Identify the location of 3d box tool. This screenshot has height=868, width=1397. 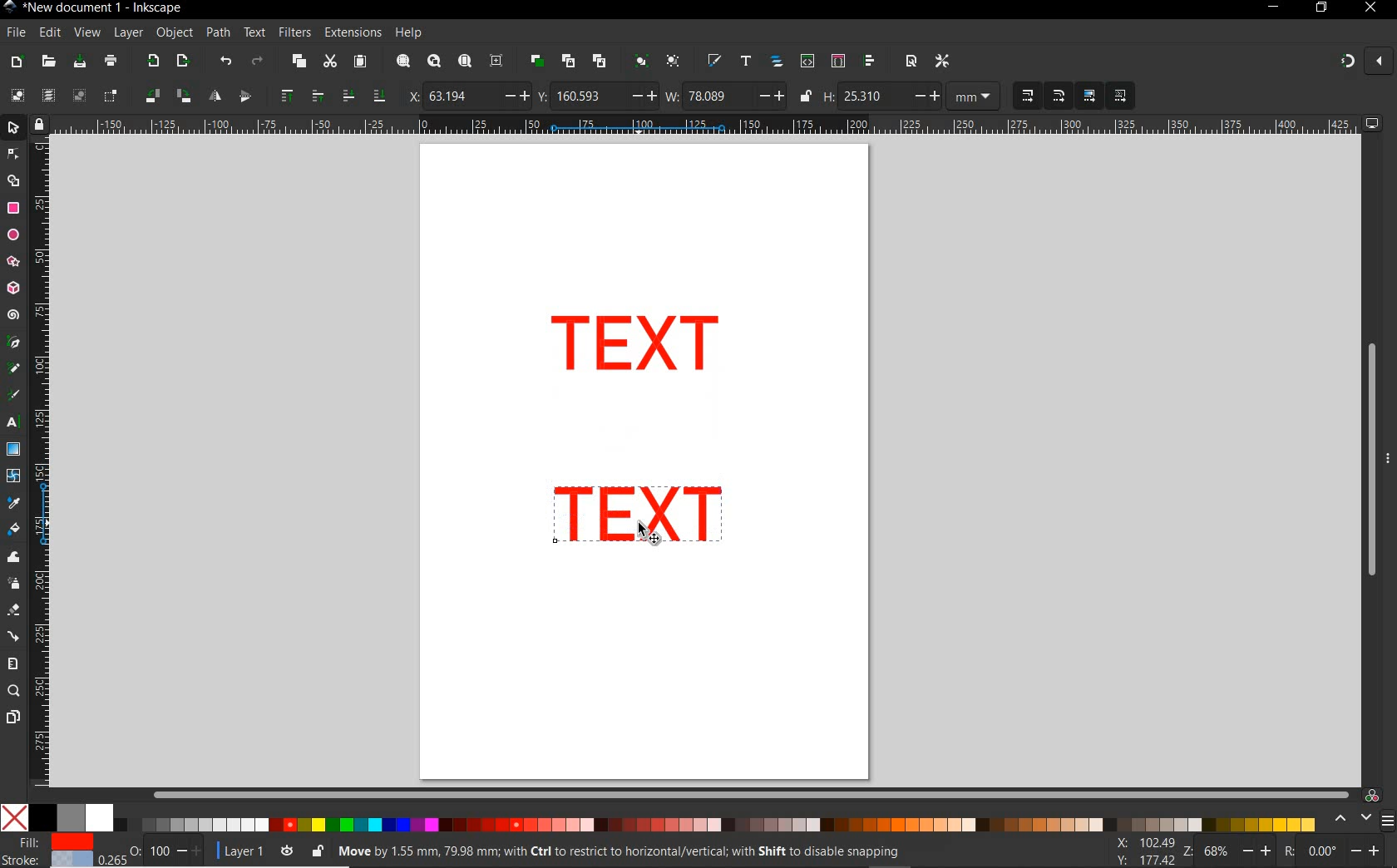
(15, 287).